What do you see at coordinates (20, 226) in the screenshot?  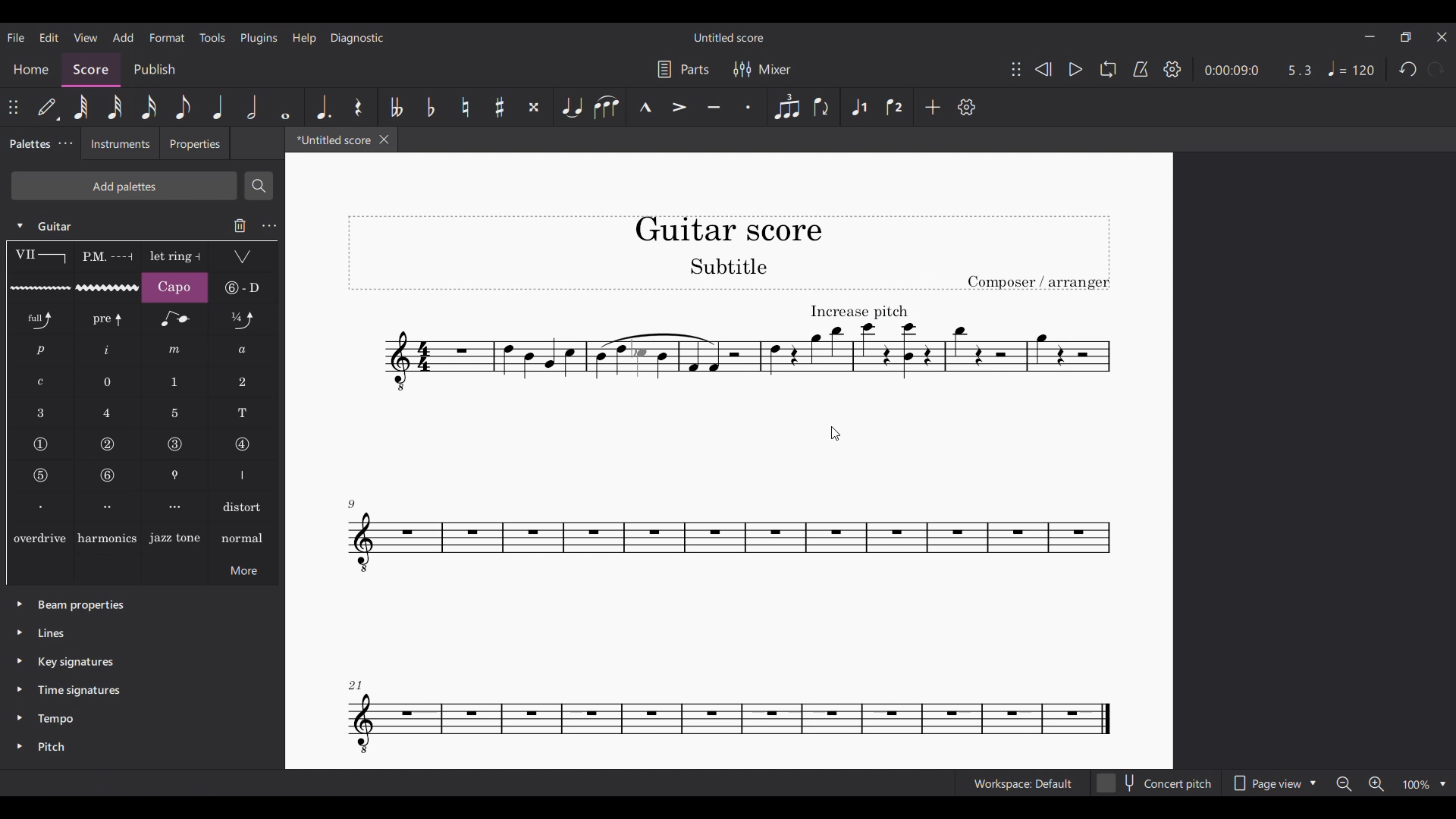 I see `Click to collapse ` at bounding box center [20, 226].